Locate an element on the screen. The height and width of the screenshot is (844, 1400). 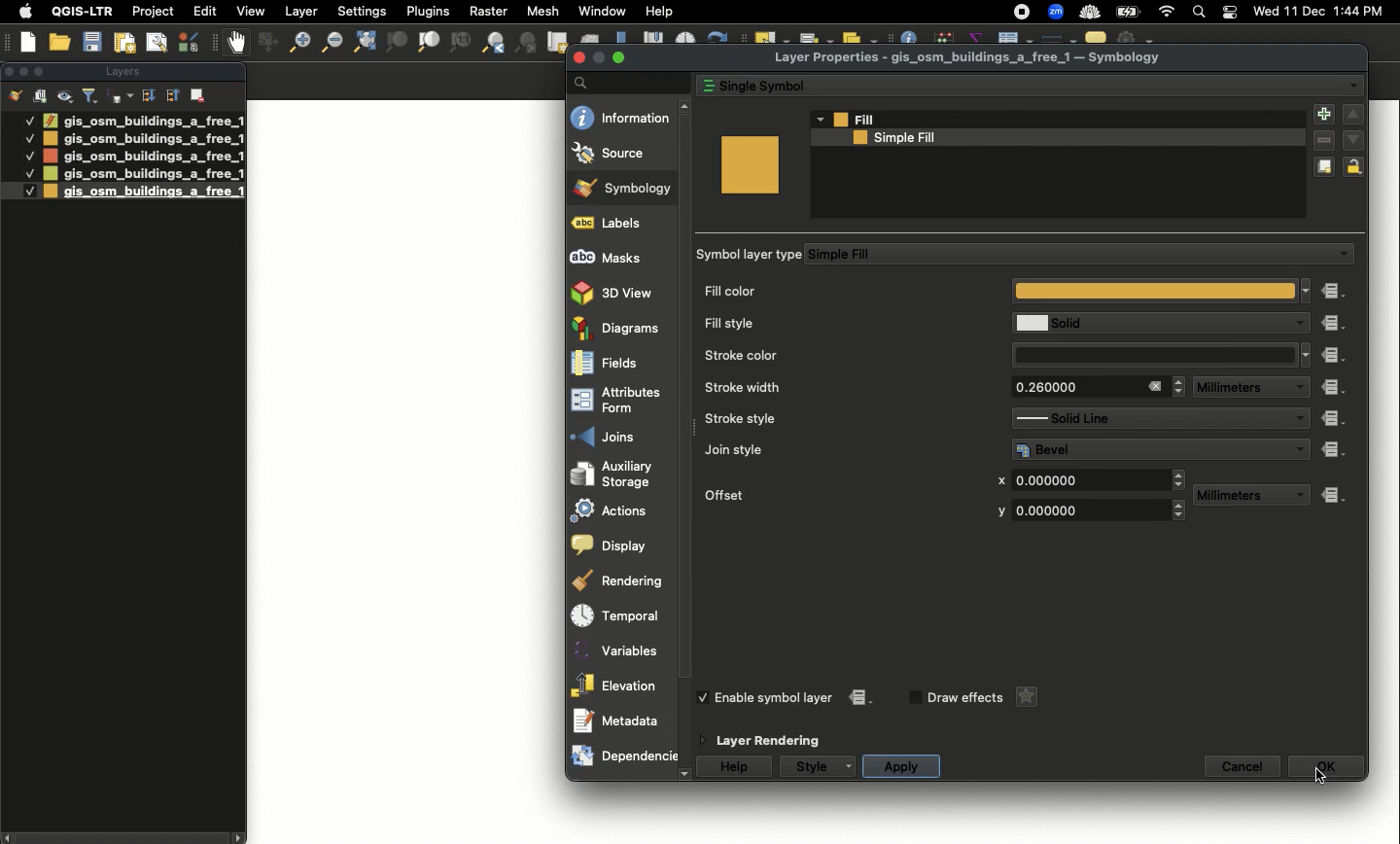
Display is located at coordinates (621, 545).